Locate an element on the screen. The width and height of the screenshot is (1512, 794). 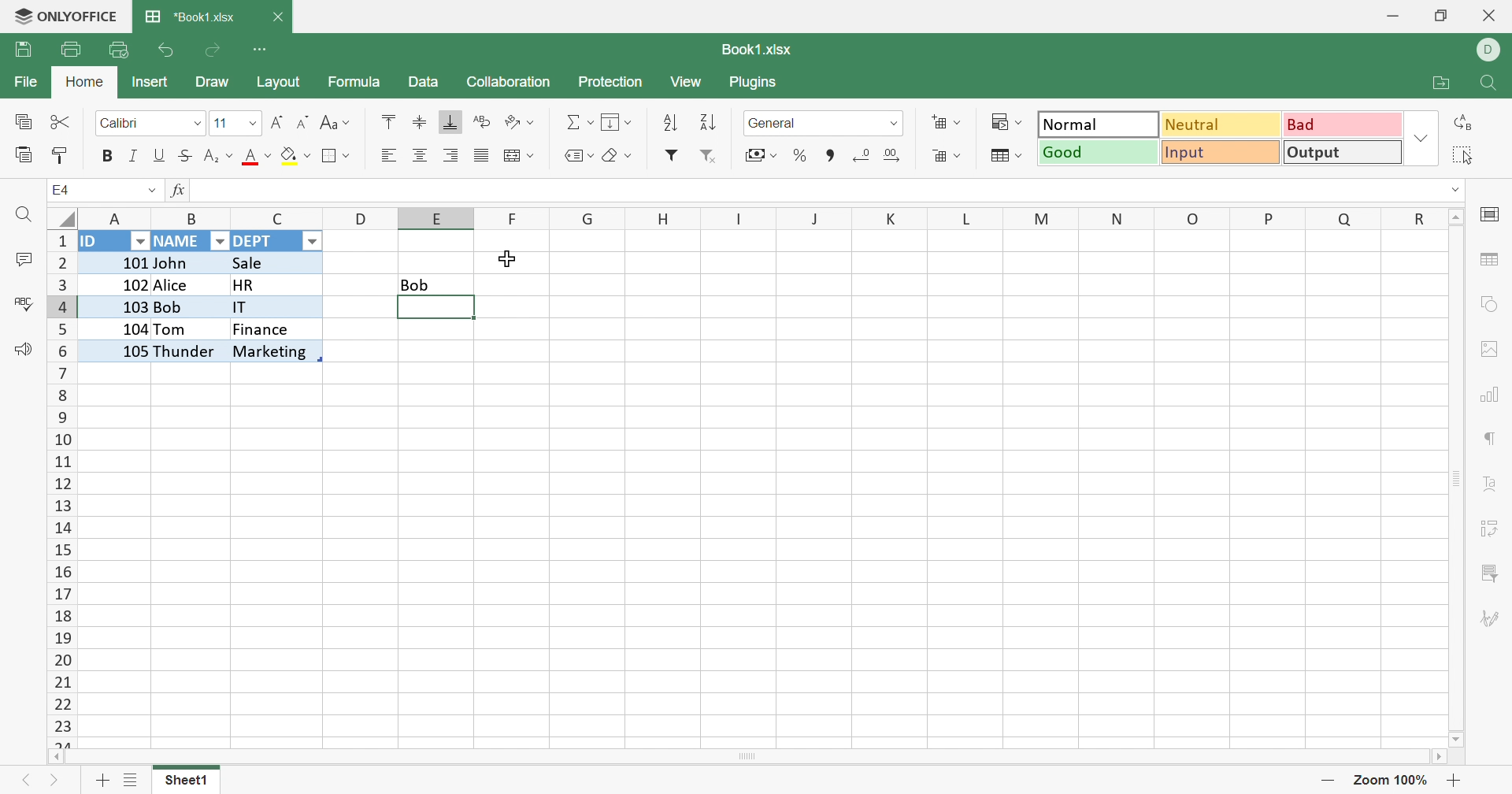
DEPT is located at coordinates (258, 243).